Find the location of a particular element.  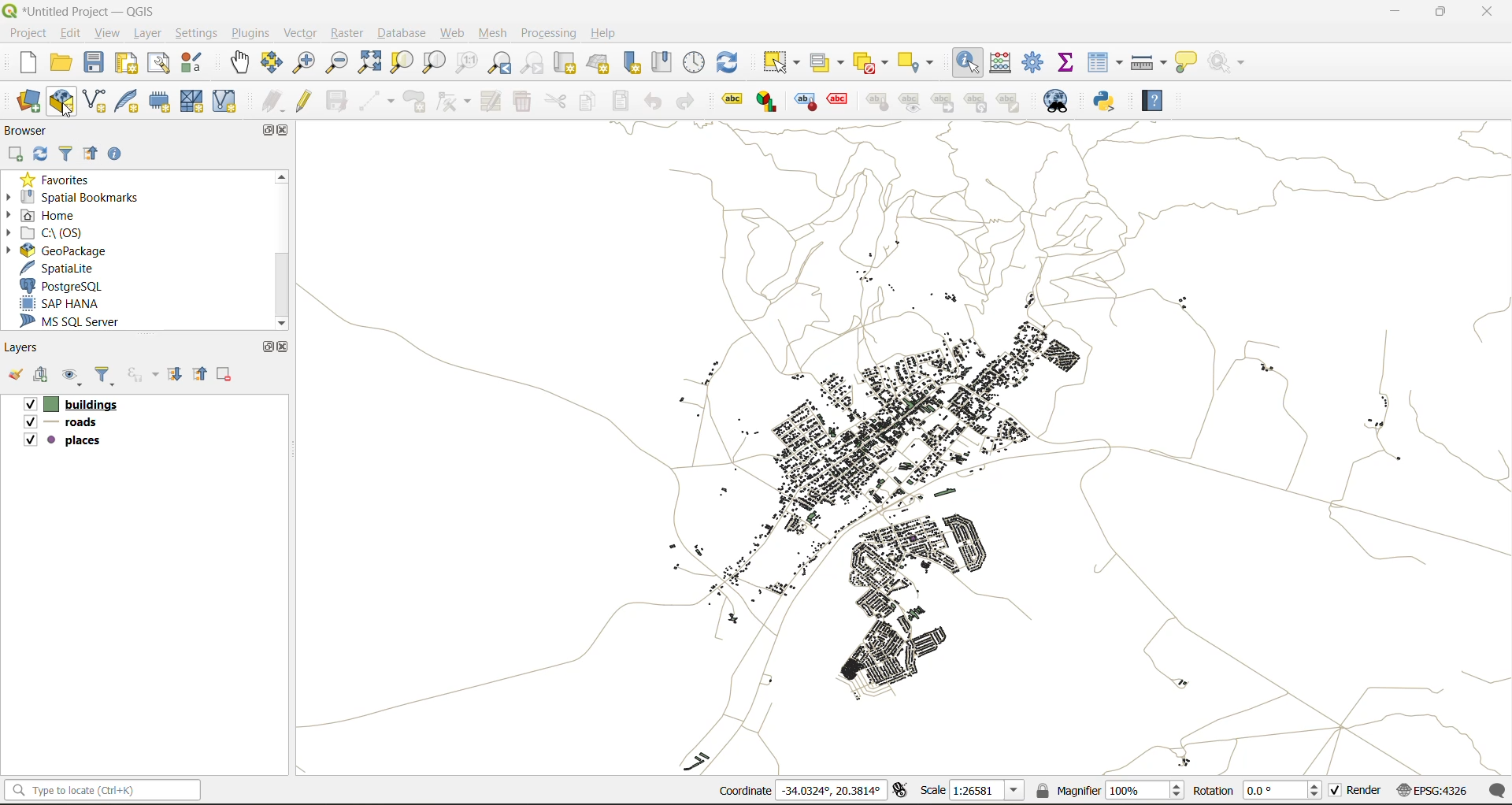

zoom full is located at coordinates (369, 63).